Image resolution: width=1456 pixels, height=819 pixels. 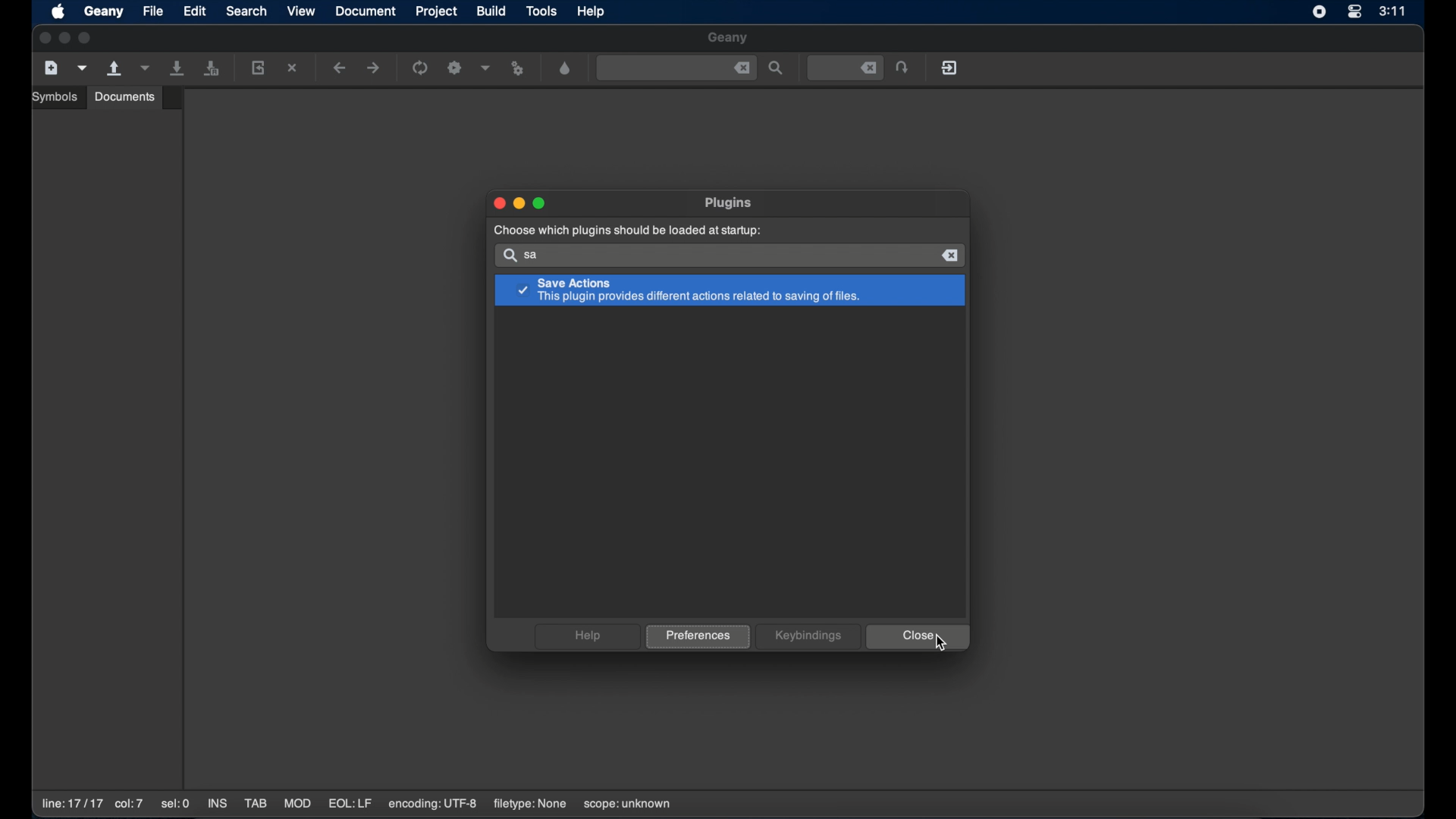 What do you see at coordinates (730, 291) in the screenshot?
I see `save  action plugin highlighted` at bounding box center [730, 291].